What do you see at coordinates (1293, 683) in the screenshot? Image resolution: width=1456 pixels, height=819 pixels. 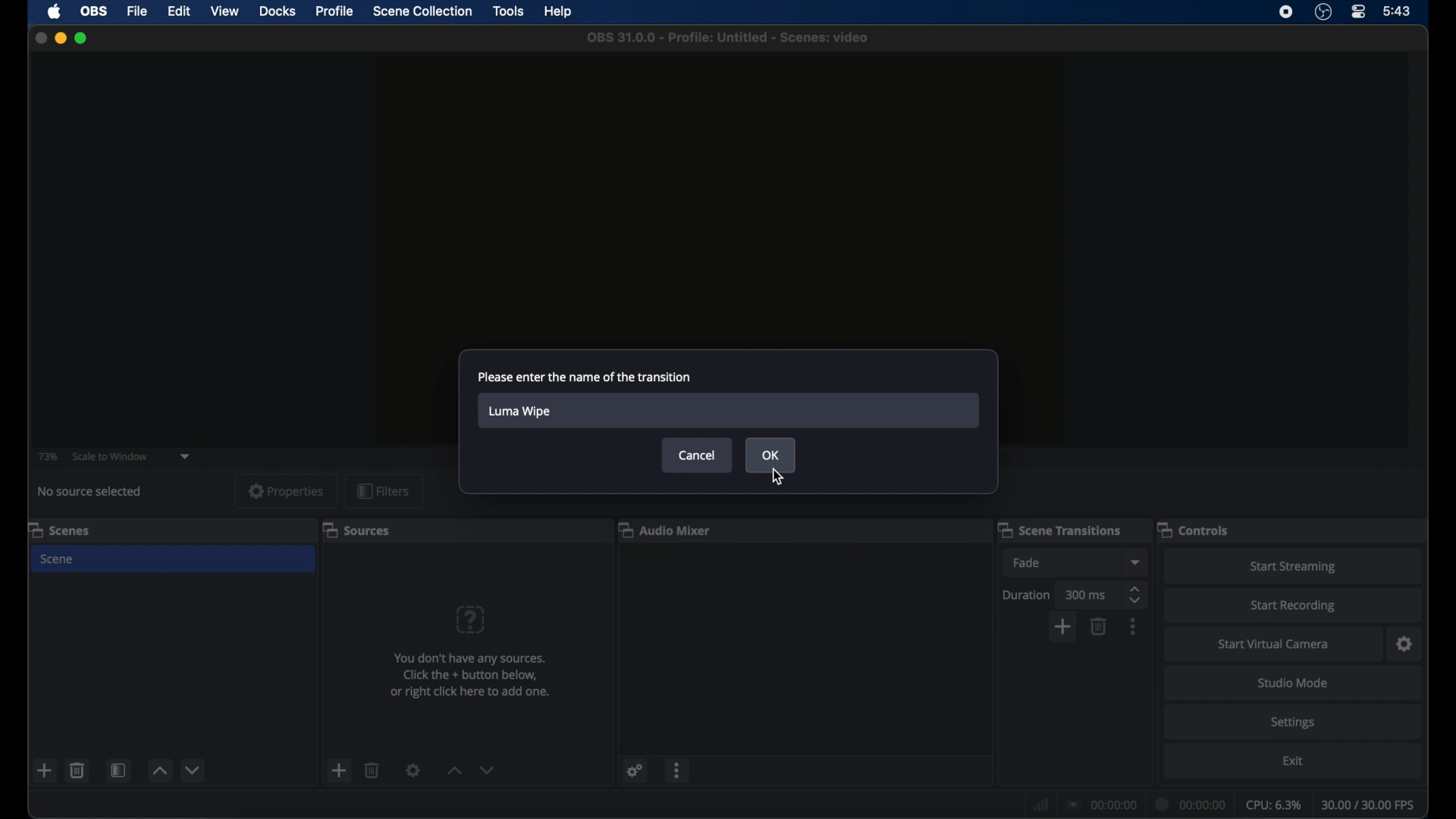 I see `studio mode` at bounding box center [1293, 683].